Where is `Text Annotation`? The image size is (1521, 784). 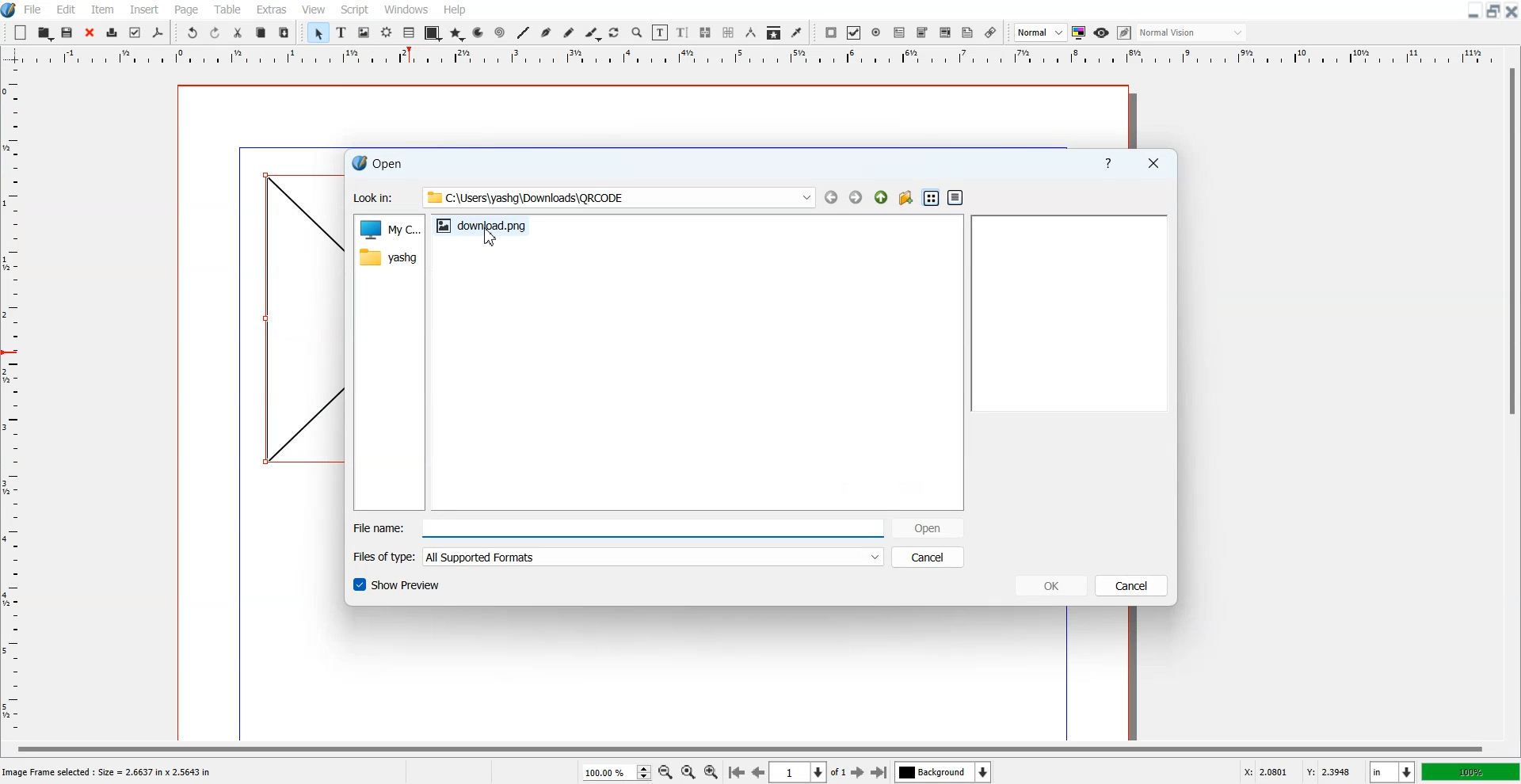 Text Annotation is located at coordinates (968, 33).